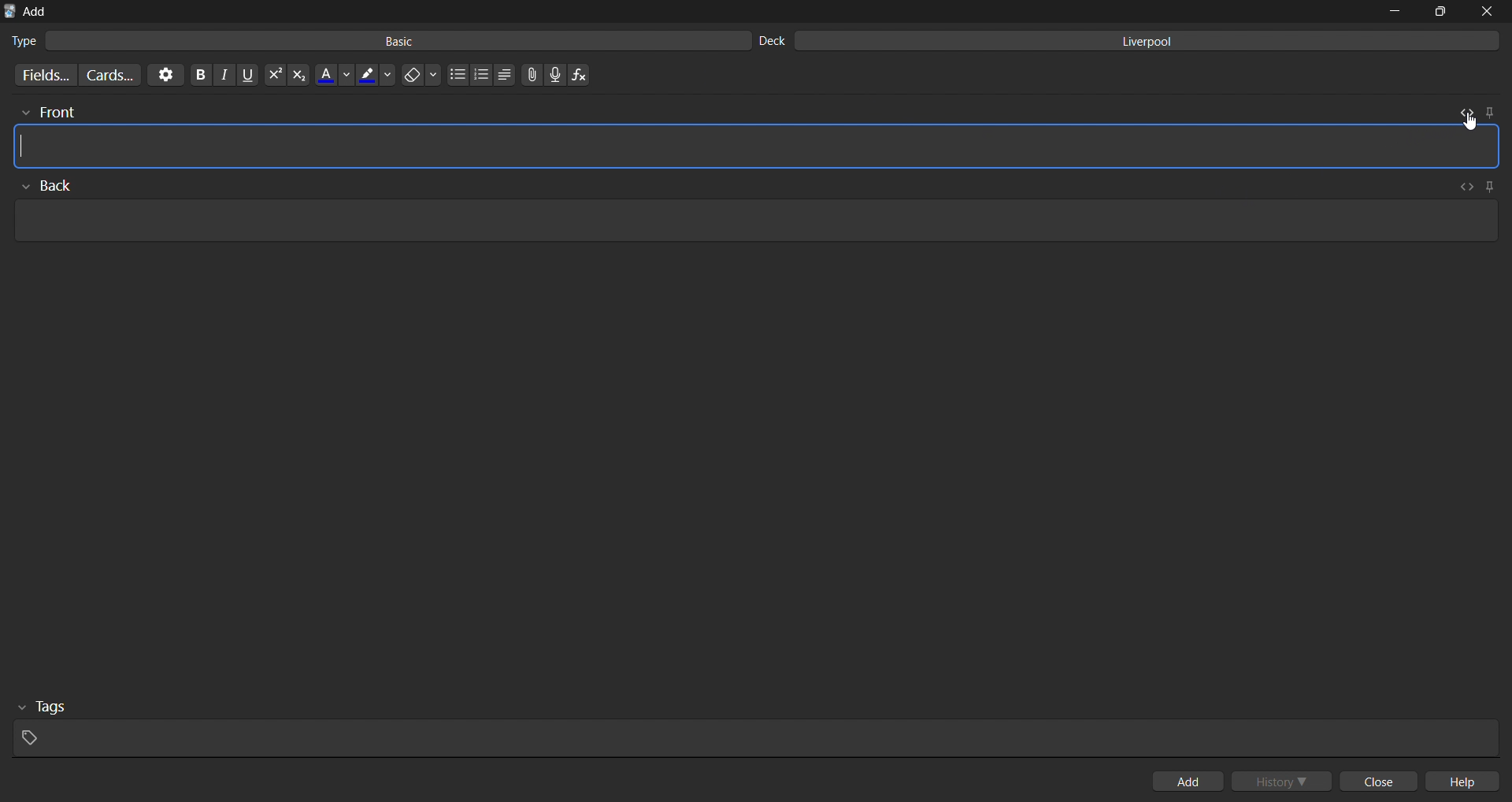  I want to click on insert function, so click(583, 75).